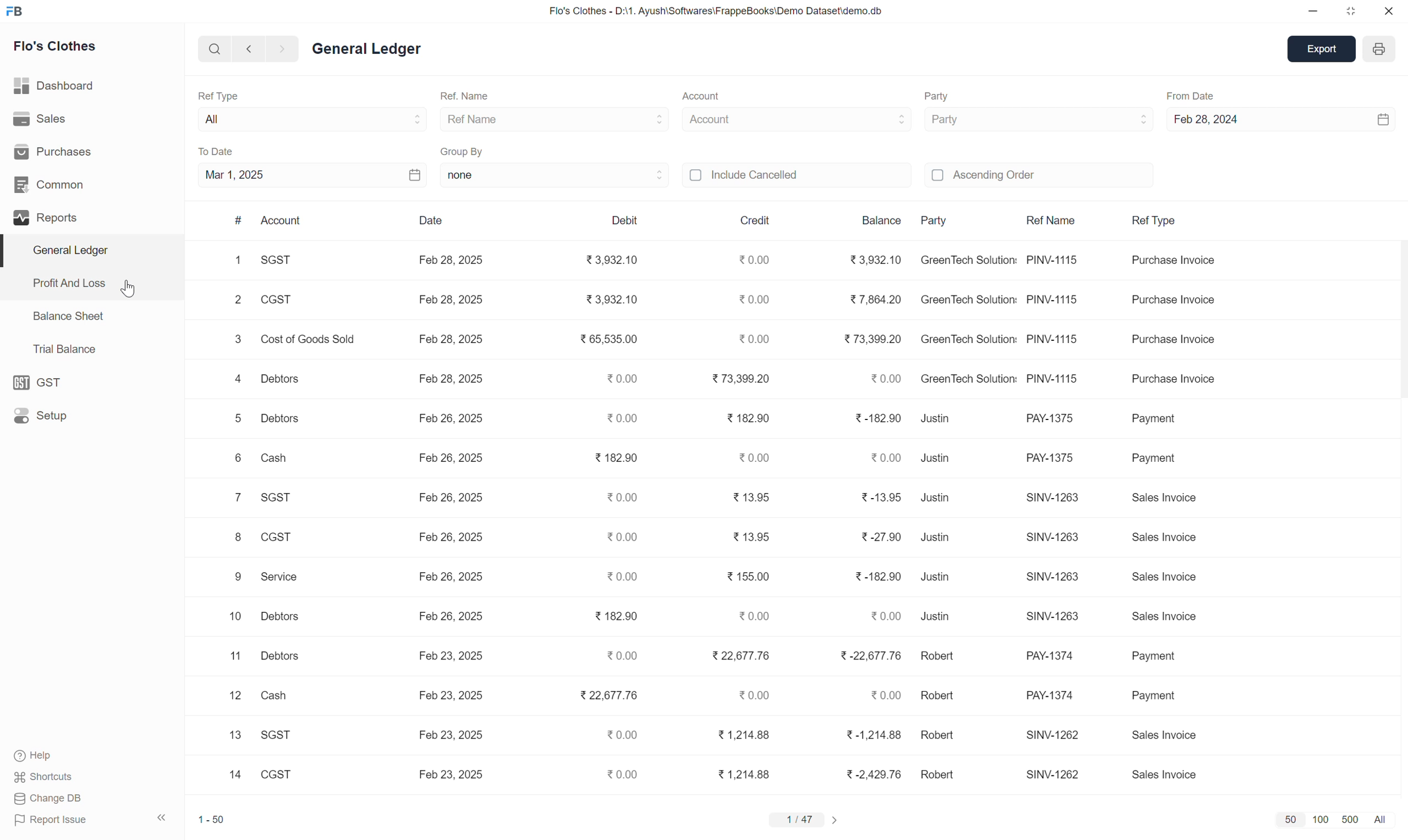 This screenshot has height=840, width=1408. Describe the element at coordinates (59, 85) in the screenshot. I see `Dashboard` at that location.